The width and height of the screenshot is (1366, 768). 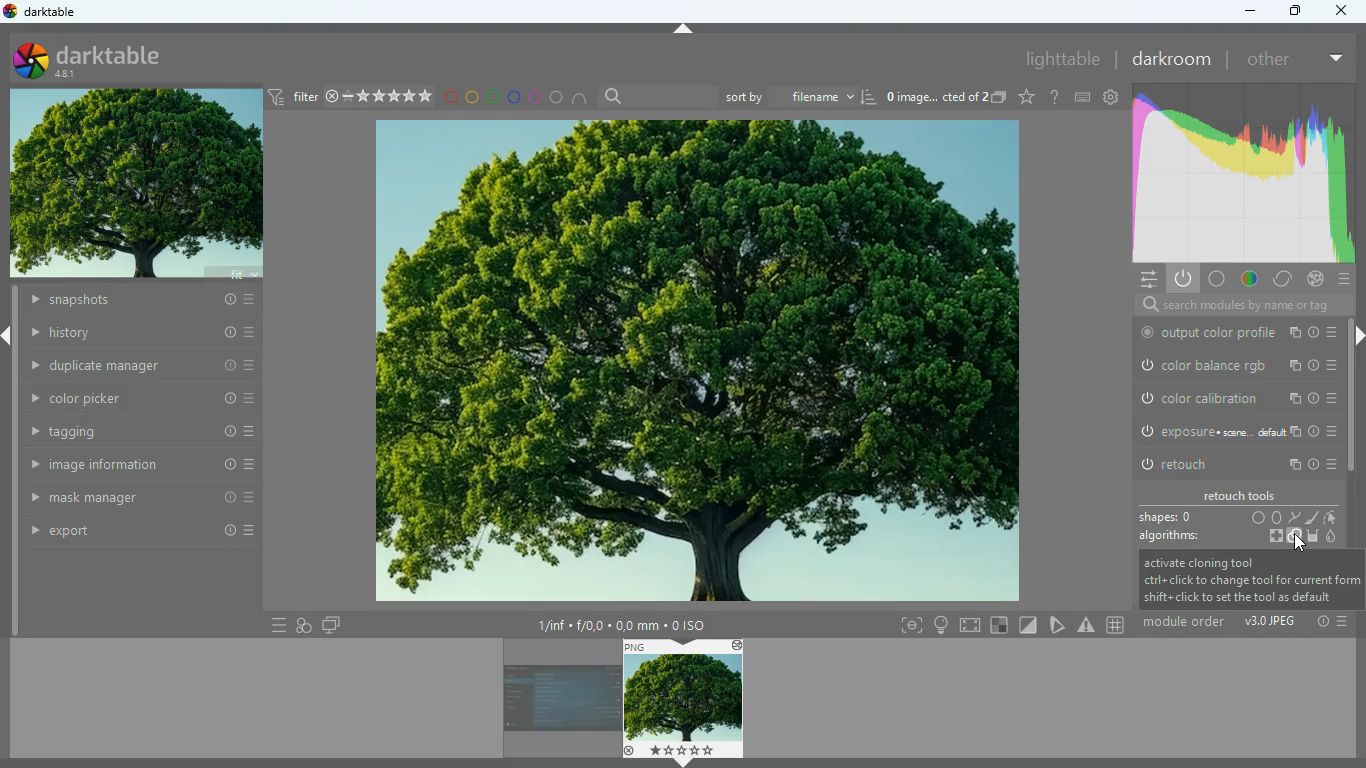 I want to click on cursor on cloning, so click(x=1302, y=545).